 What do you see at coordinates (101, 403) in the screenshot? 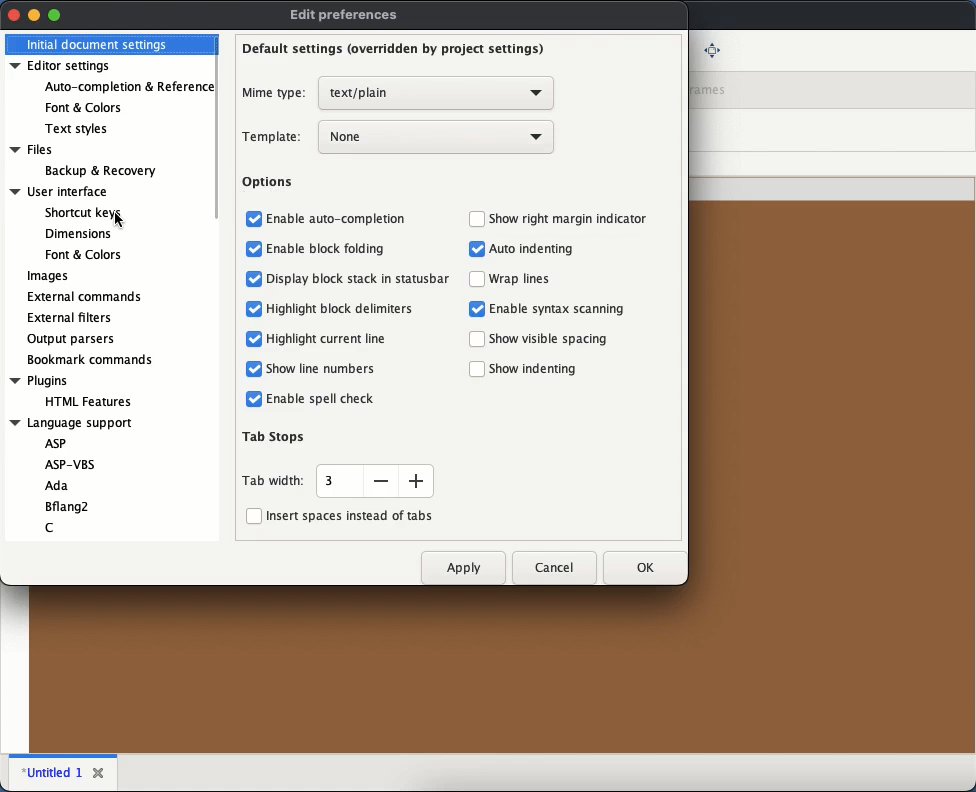
I see `HIML Features` at bounding box center [101, 403].